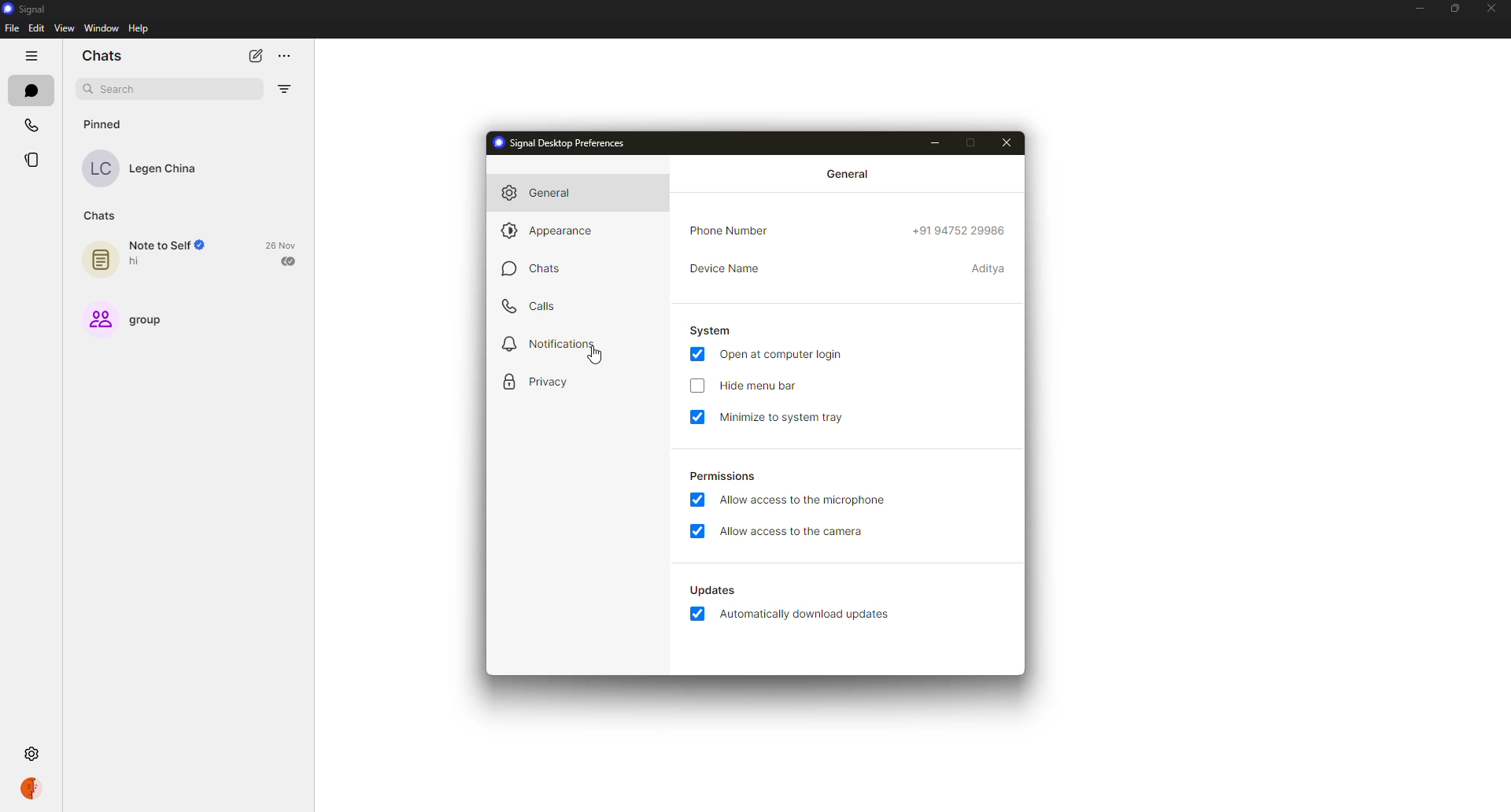 Image resolution: width=1511 pixels, height=812 pixels. What do you see at coordinates (33, 124) in the screenshot?
I see `calls` at bounding box center [33, 124].